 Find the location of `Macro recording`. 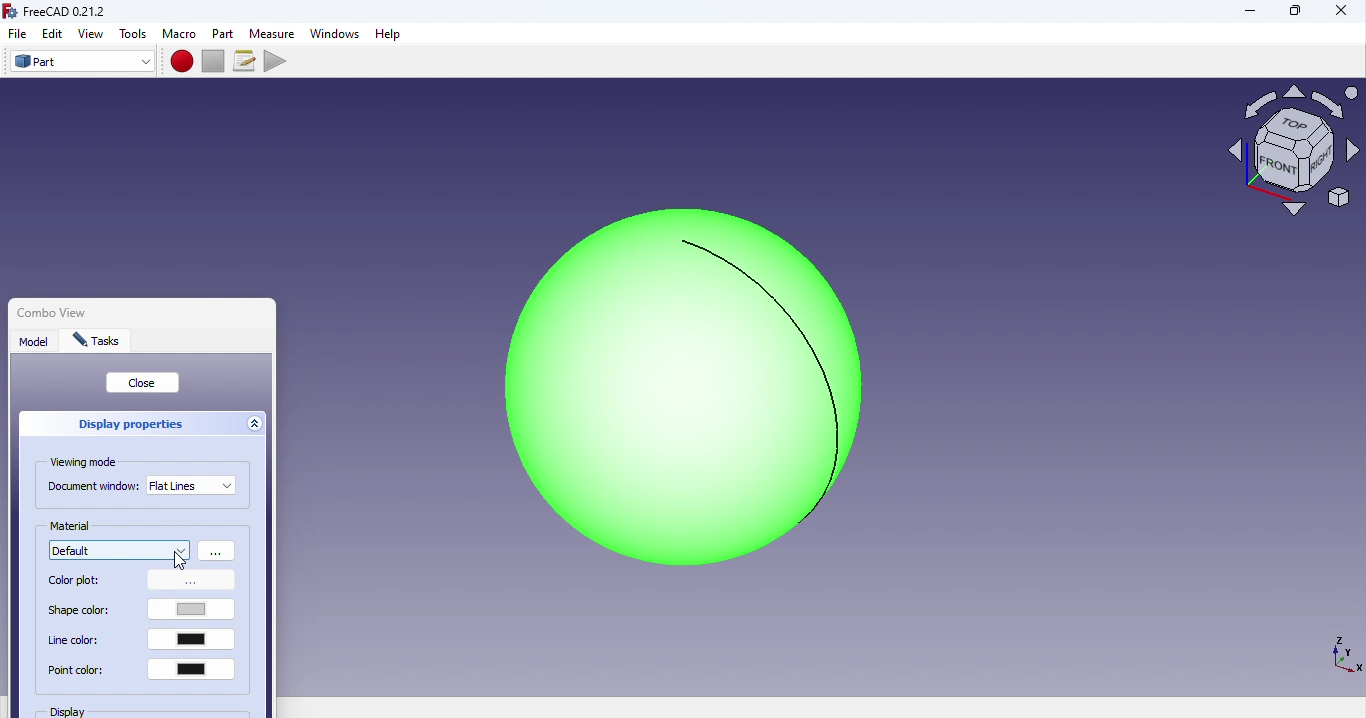

Macro recording is located at coordinates (183, 61).